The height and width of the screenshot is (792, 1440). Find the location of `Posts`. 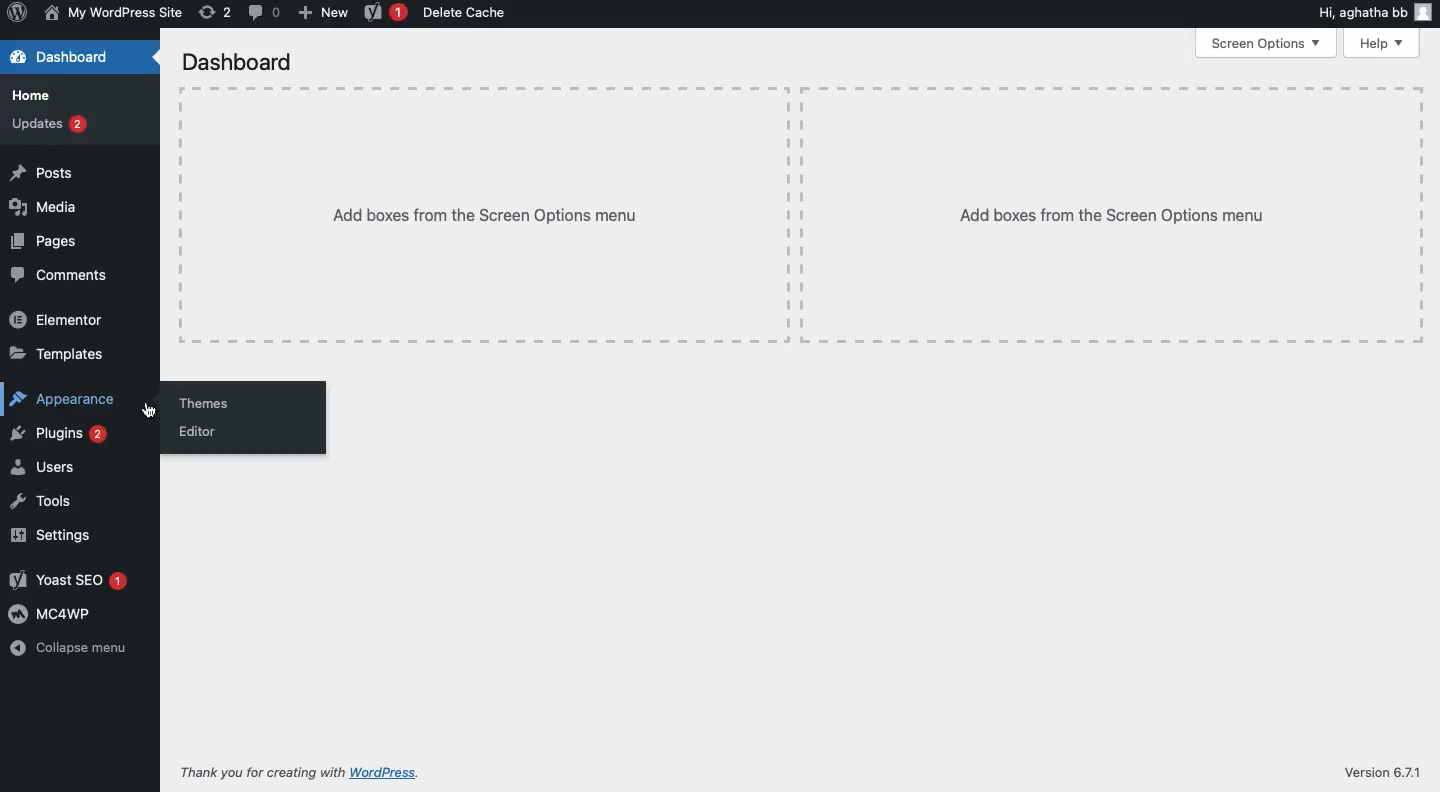

Posts is located at coordinates (43, 172).